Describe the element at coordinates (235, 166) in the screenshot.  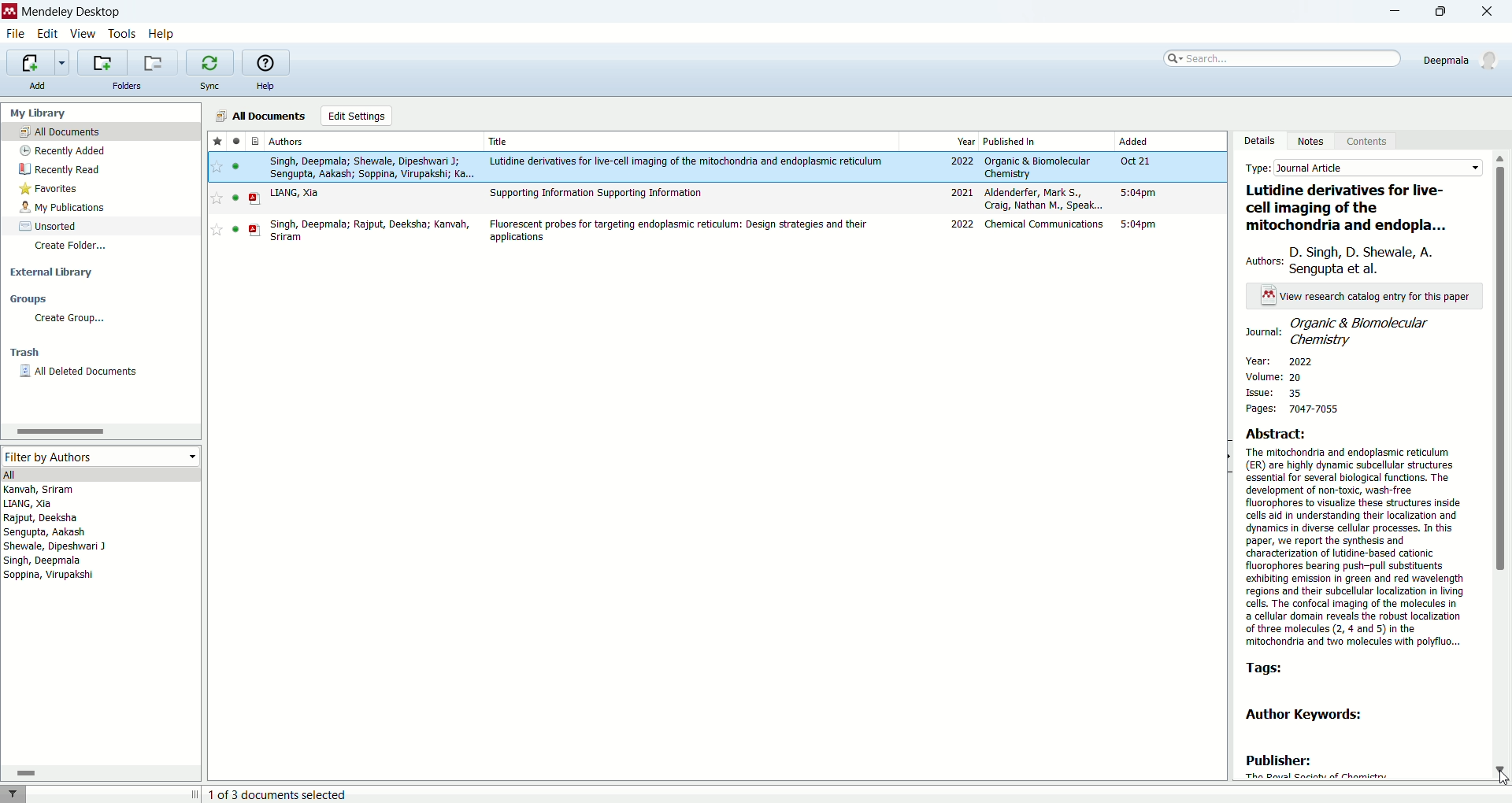
I see `unread` at that location.